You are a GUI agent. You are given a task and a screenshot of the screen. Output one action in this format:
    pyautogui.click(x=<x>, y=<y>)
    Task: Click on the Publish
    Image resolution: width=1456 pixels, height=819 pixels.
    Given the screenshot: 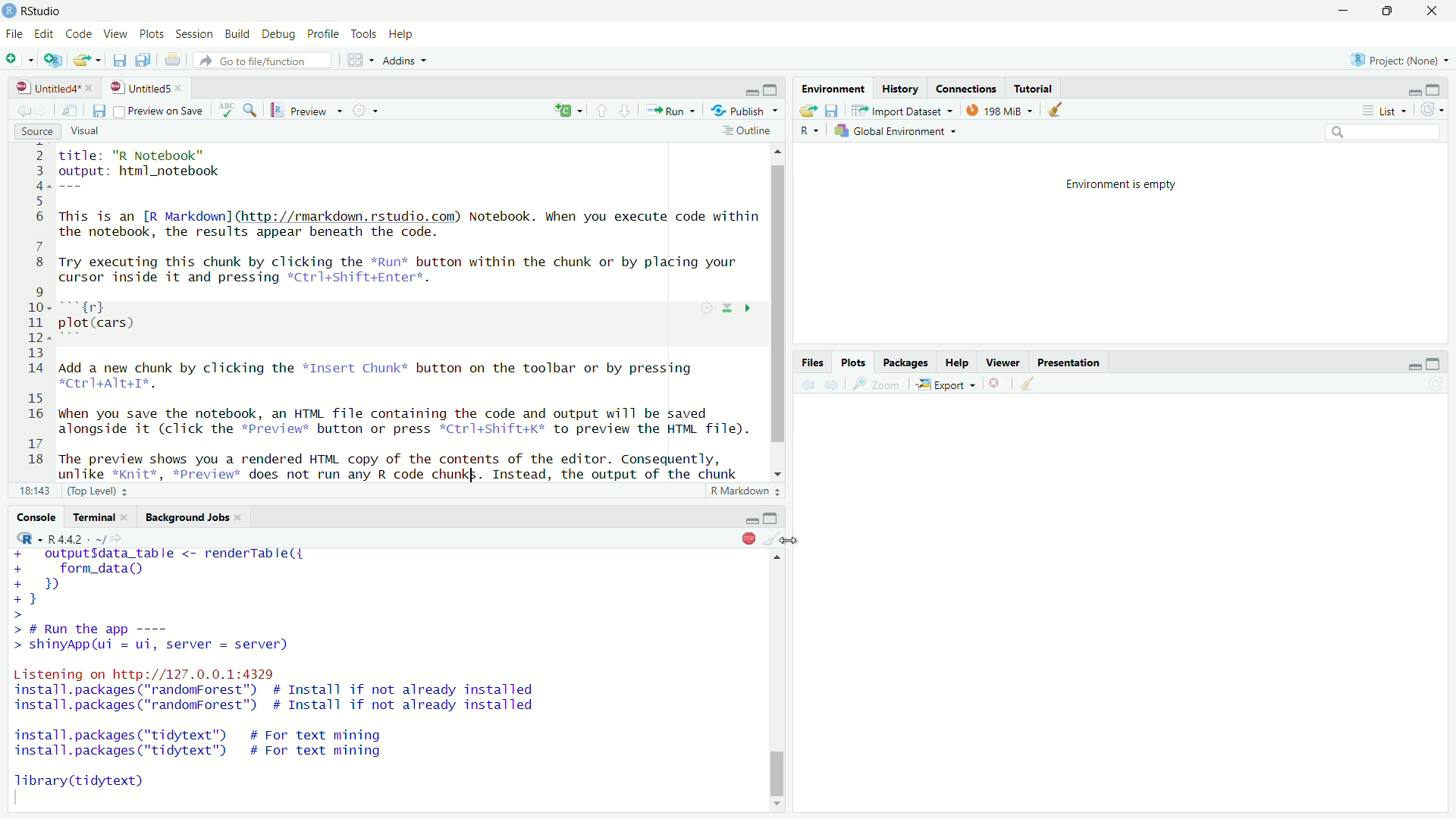 What is the action you would take?
    pyautogui.click(x=745, y=111)
    